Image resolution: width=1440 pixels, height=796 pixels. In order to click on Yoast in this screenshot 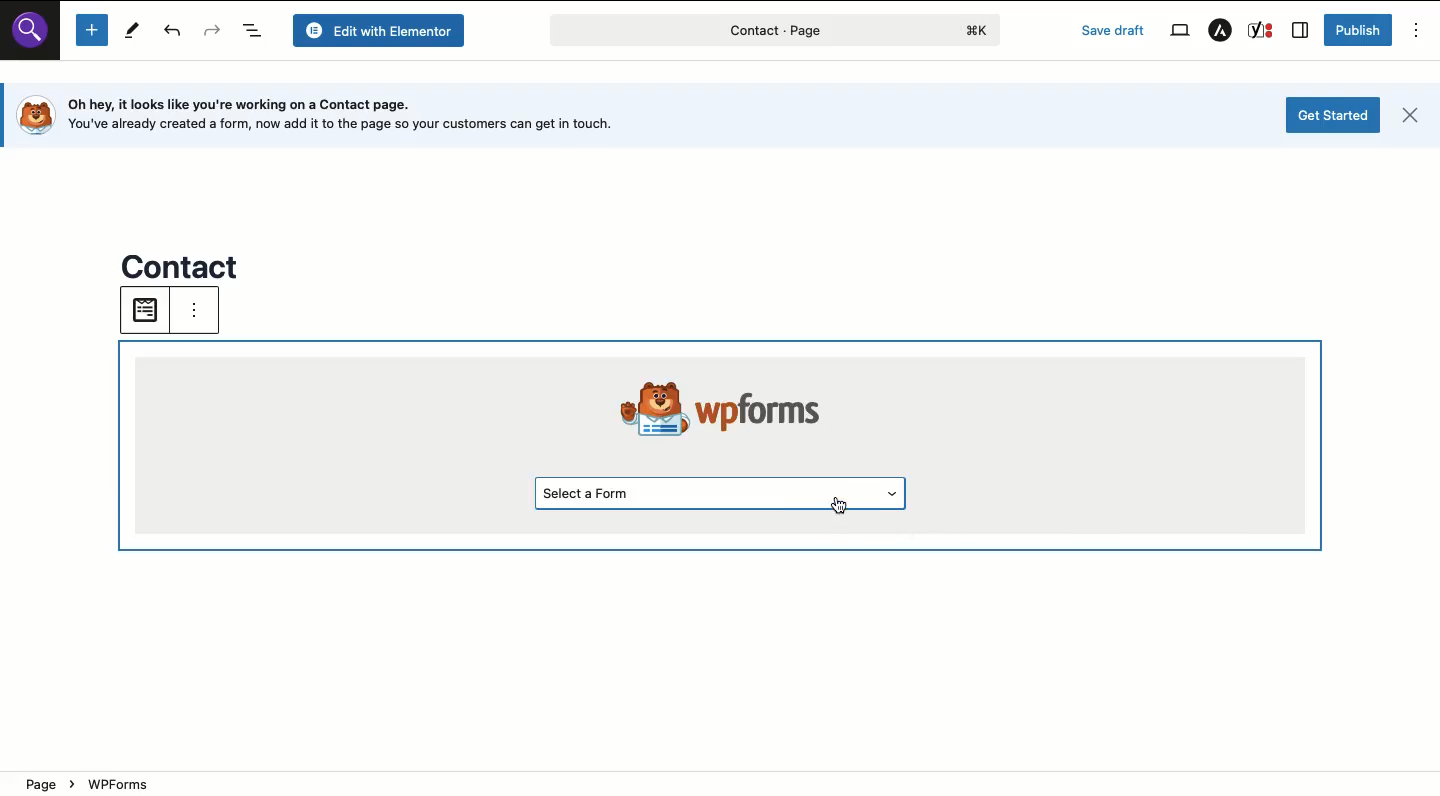, I will do `click(1261, 30)`.